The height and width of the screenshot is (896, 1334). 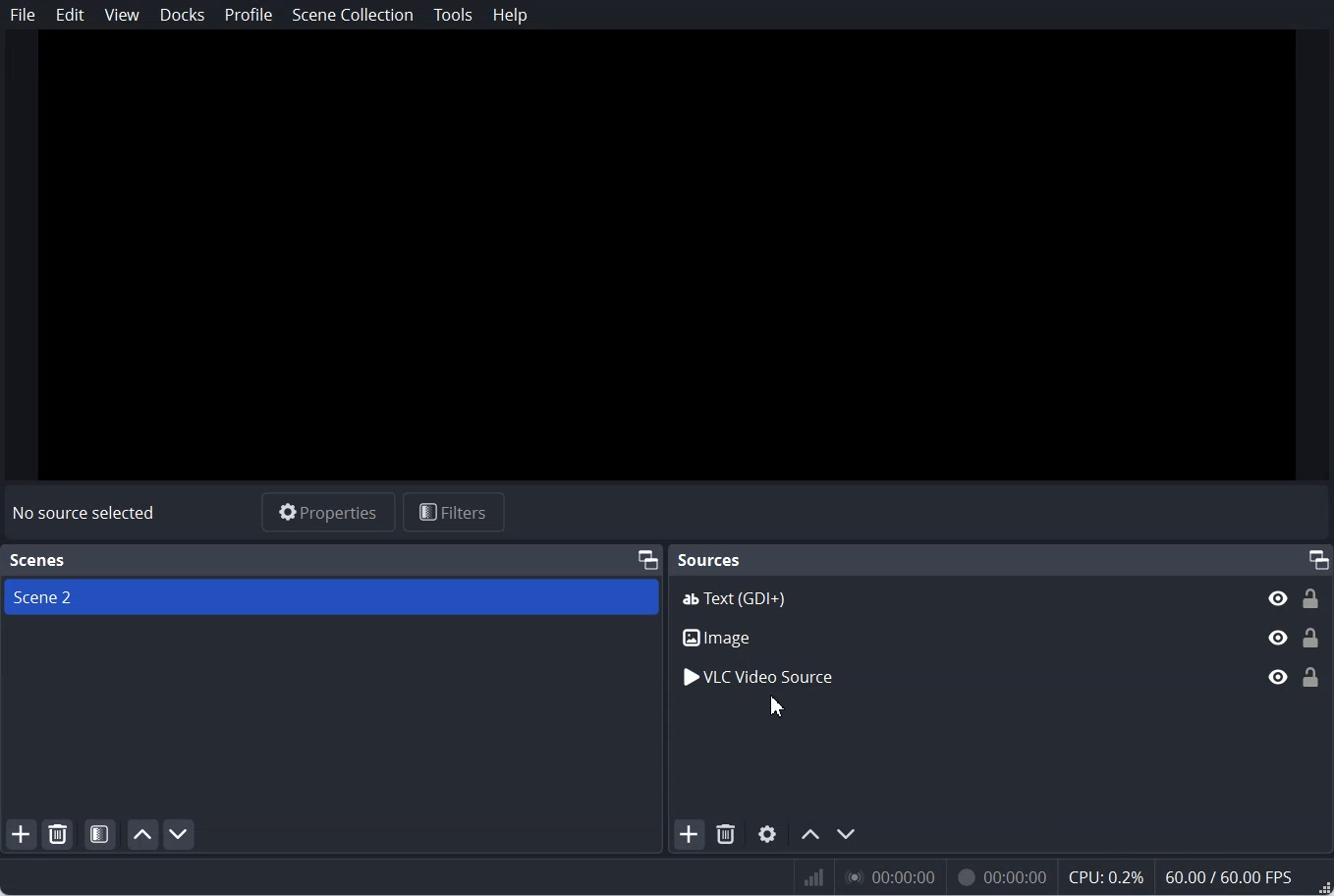 I want to click on Numeric Result, so click(x=1064, y=875).